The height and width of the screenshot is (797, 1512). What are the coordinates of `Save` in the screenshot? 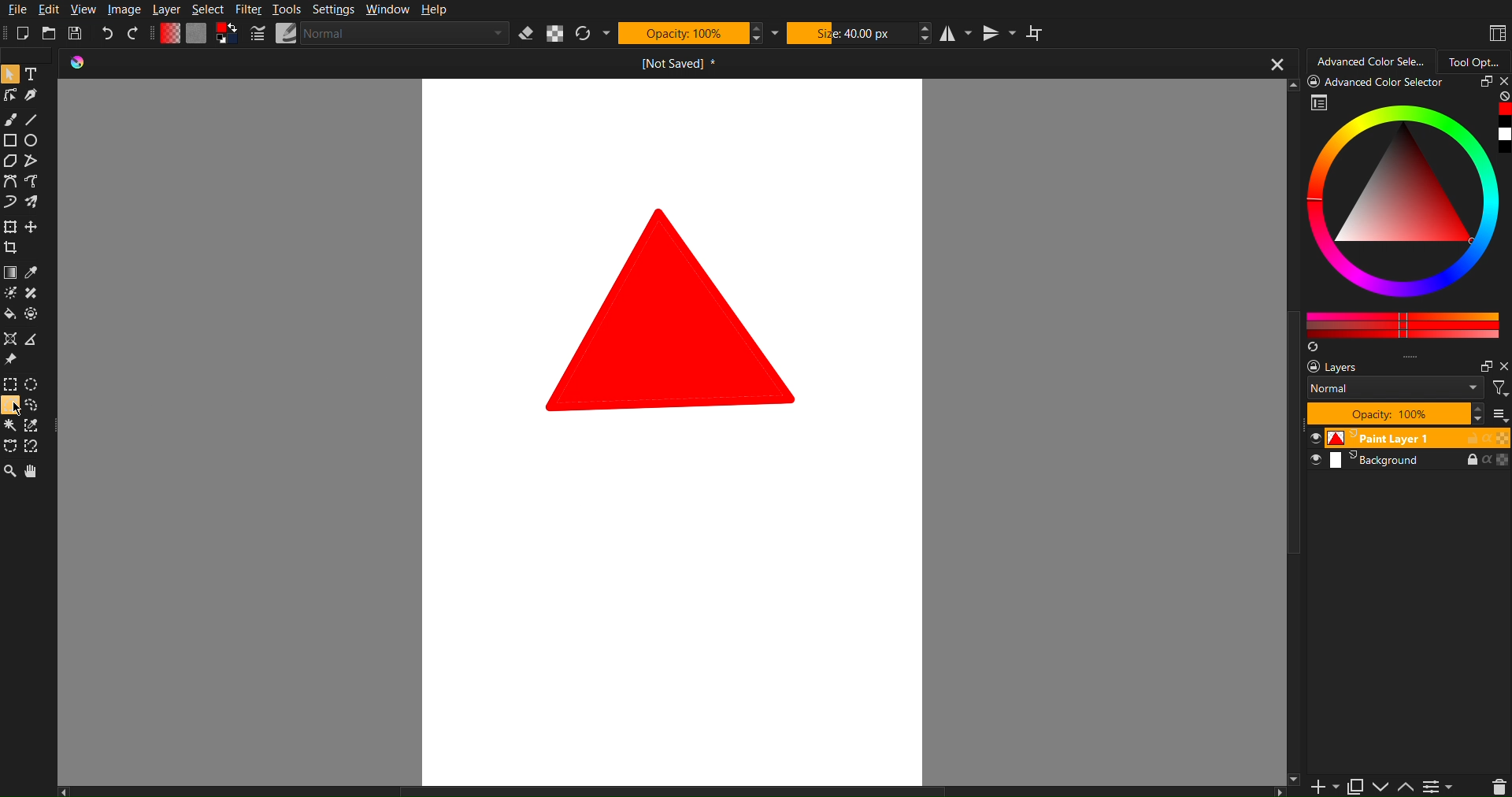 It's located at (77, 34).